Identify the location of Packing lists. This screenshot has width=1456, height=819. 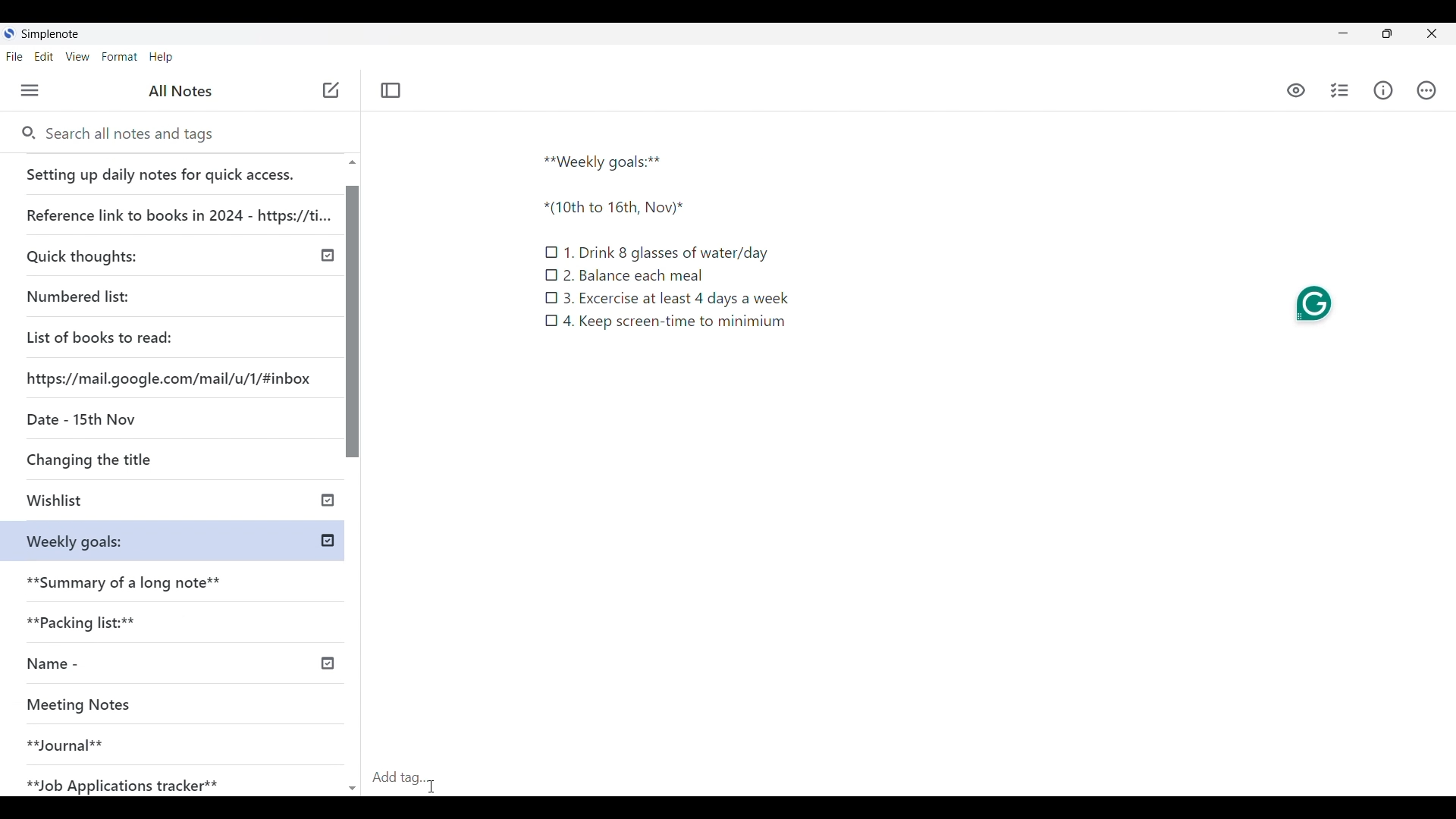
(179, 620).